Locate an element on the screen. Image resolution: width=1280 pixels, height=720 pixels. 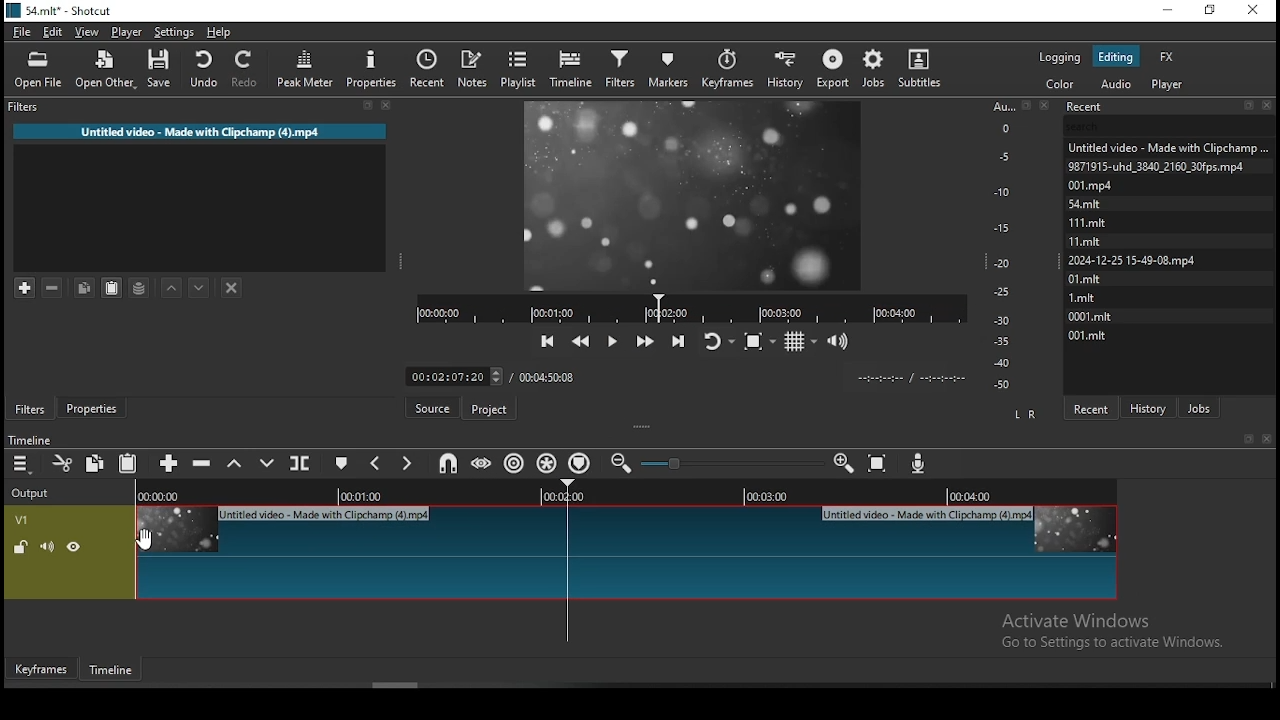
view is located at coordinates (87, 32).